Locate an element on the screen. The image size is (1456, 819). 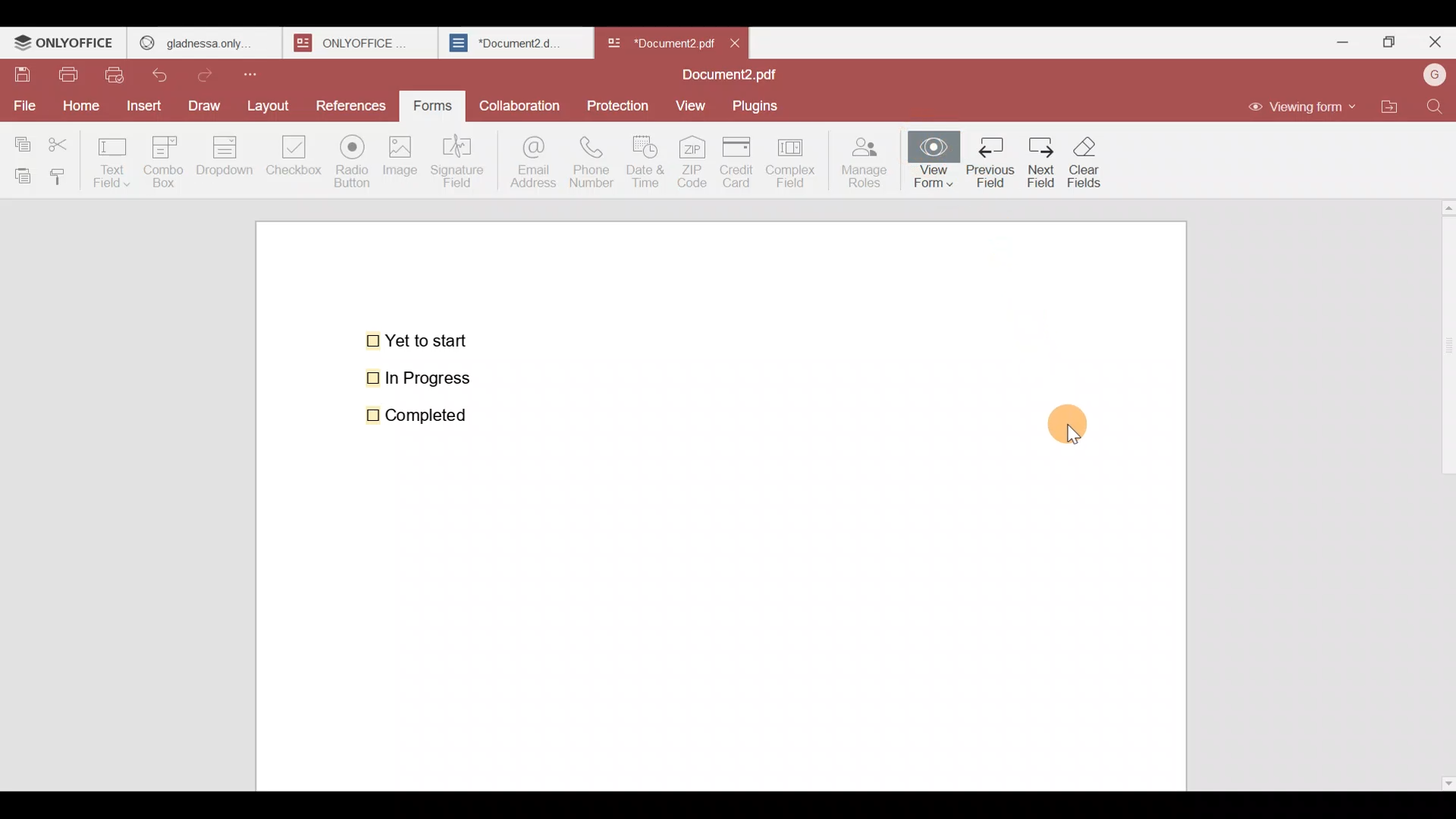
clear fields is located at coordinates (1087, 161).